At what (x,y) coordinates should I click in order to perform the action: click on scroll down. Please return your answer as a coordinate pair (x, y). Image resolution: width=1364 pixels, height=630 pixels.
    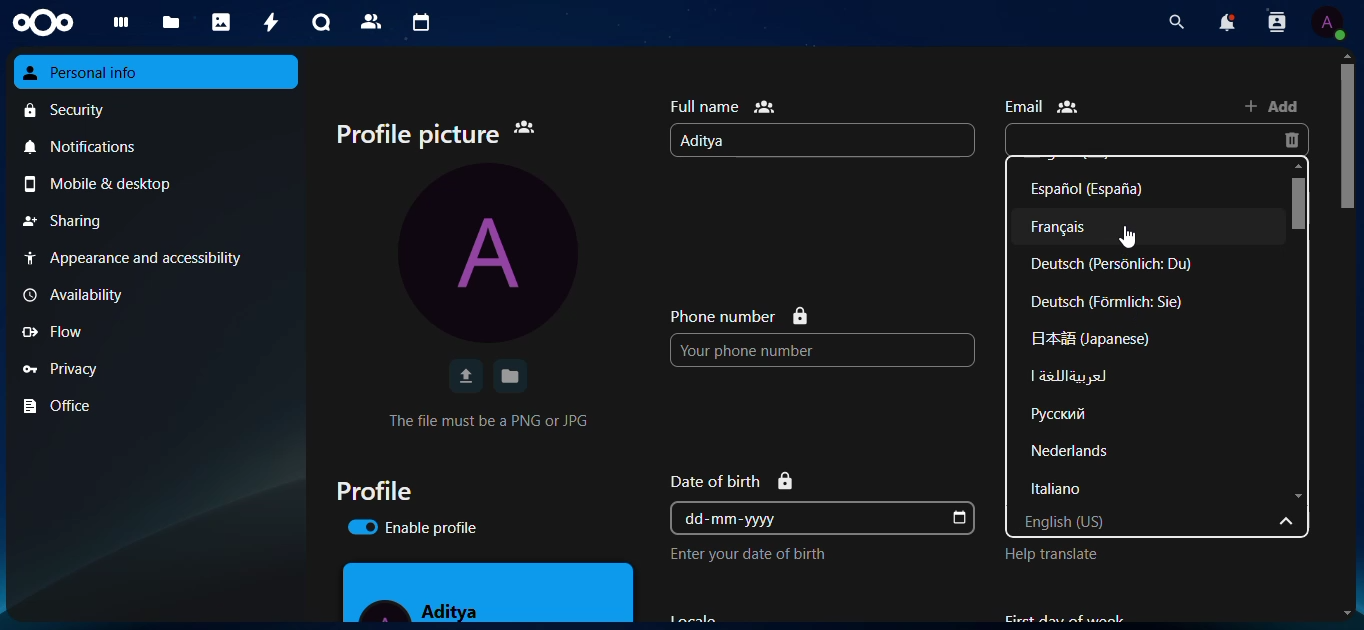
    Looking at the image, I should click on (1299, 497).